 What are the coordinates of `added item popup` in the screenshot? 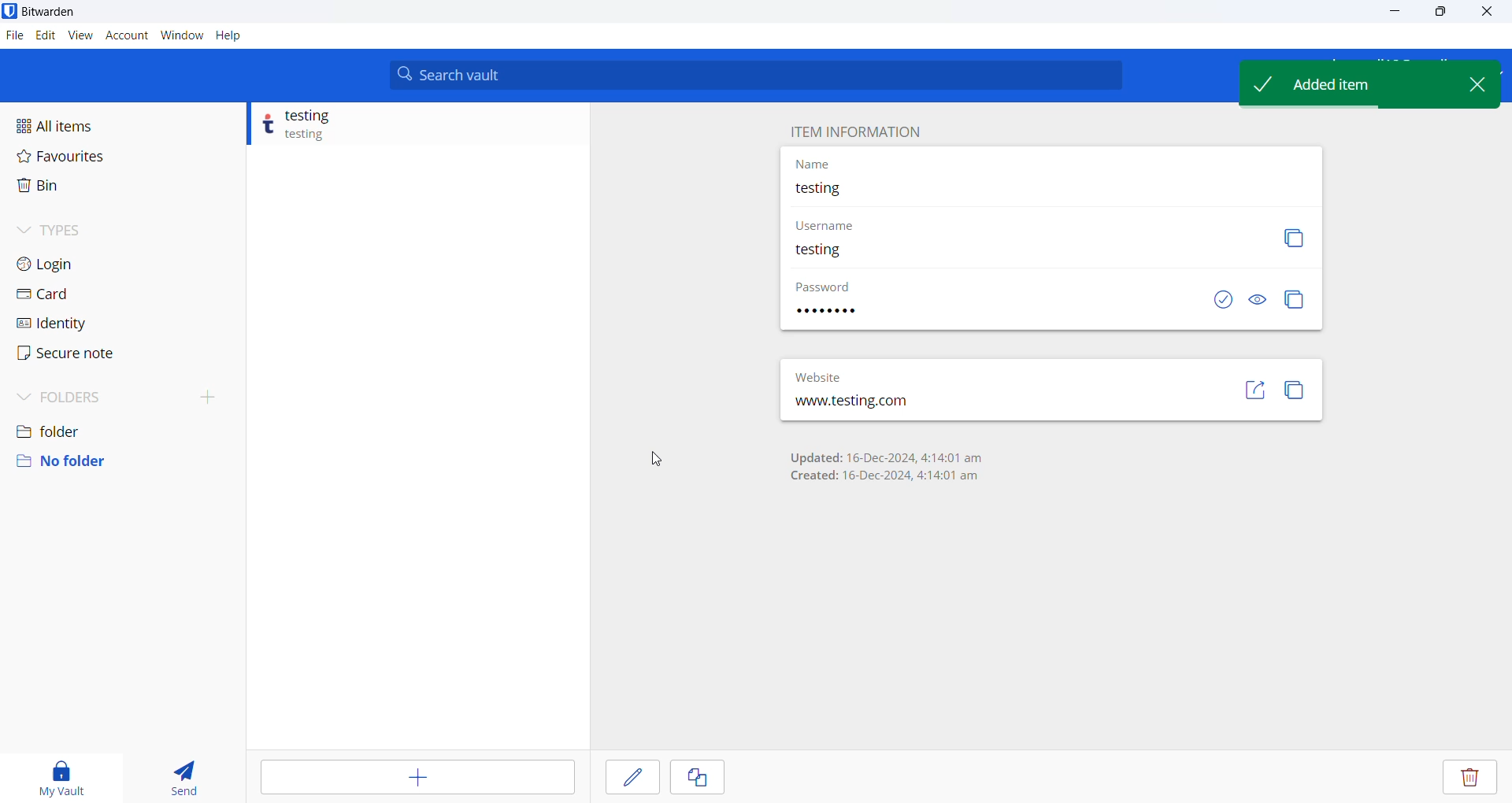 It's located at (1344, 83).